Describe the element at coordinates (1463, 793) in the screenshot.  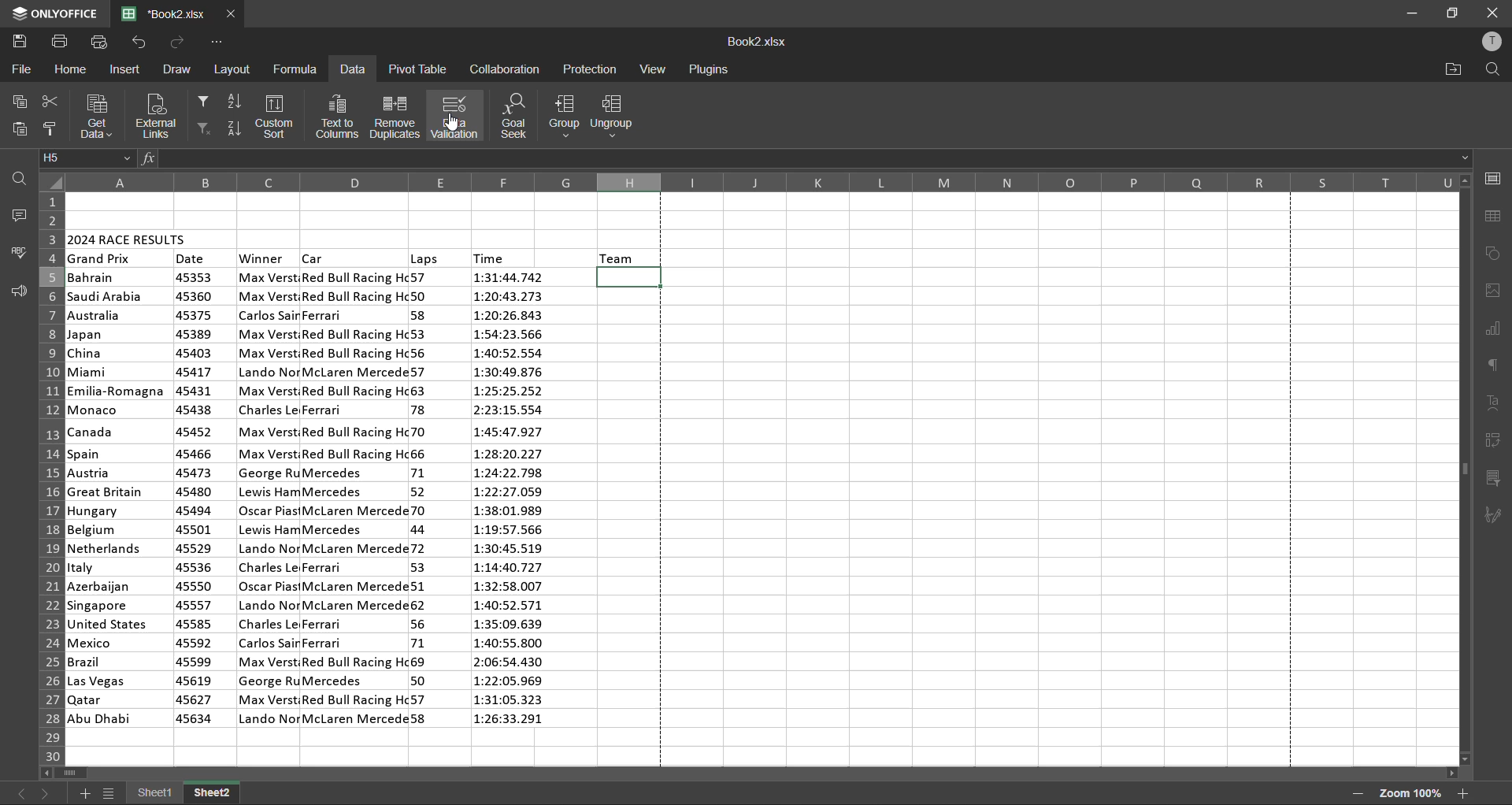
I see `zoom in` at that location.